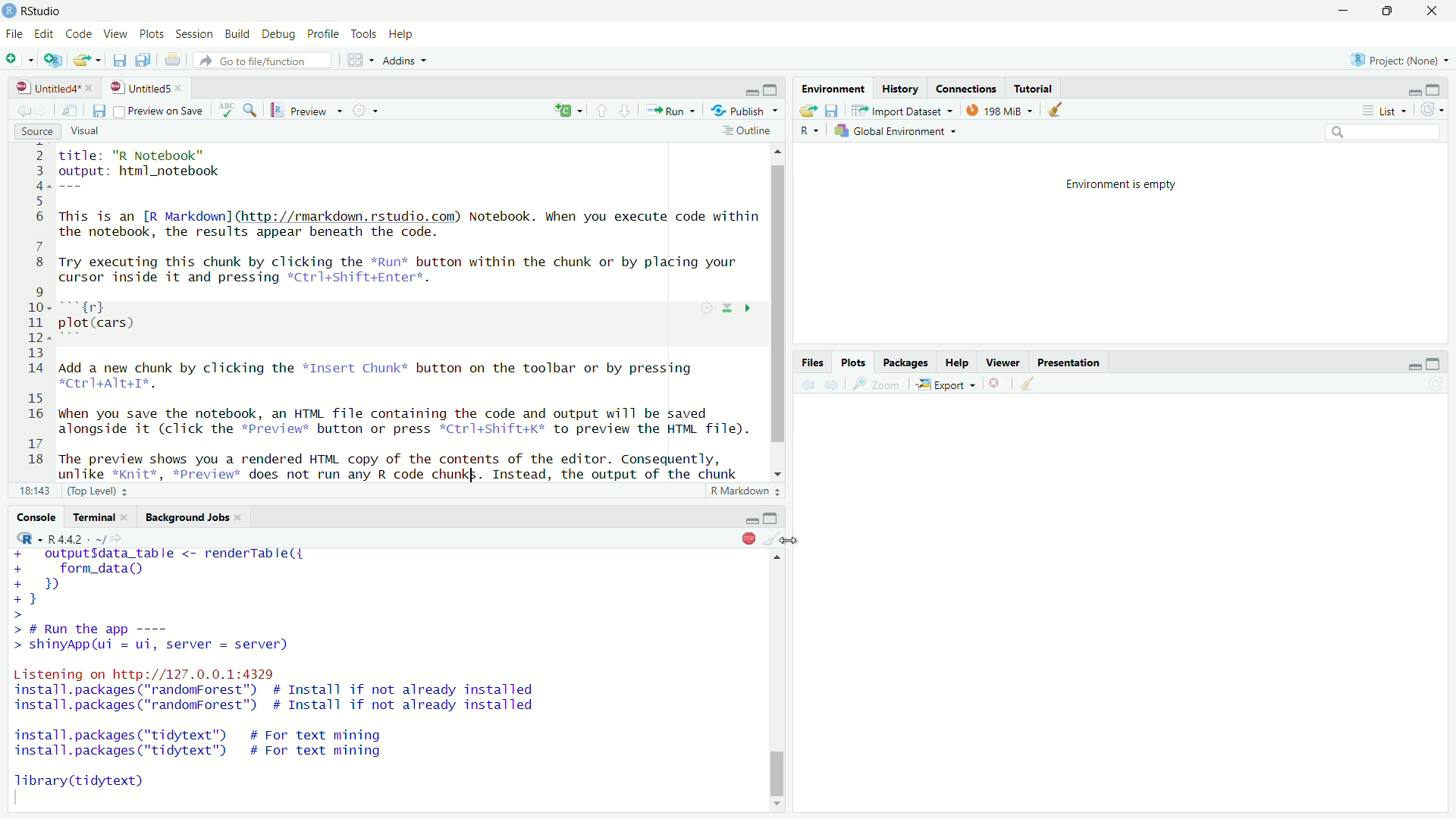  I want to click on settings, so click(369, 110).